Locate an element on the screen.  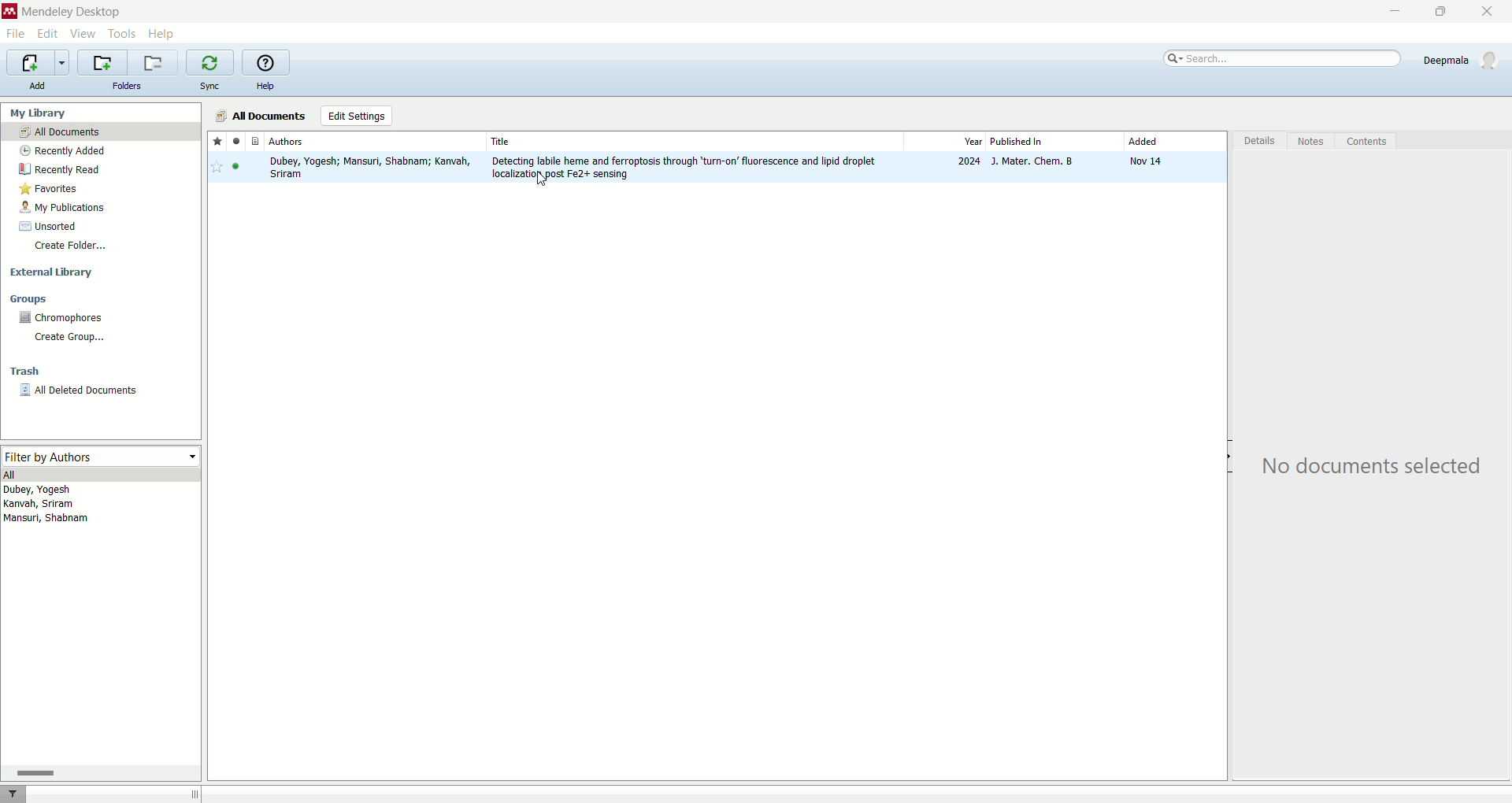
help is located at coordinates (161, 34).